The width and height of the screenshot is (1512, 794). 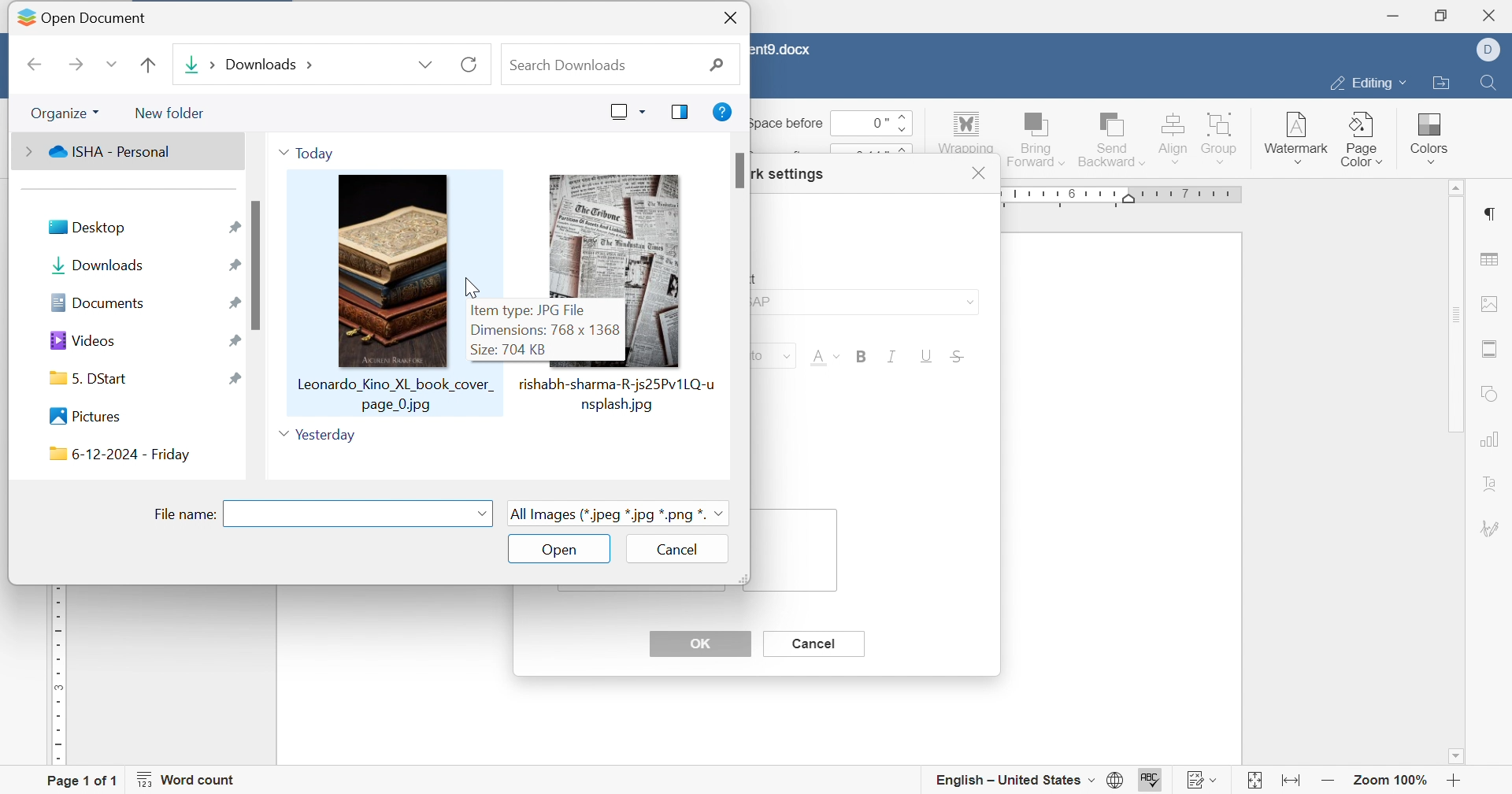 I want to click on zoom 100%, so click(x=1392, y=783).